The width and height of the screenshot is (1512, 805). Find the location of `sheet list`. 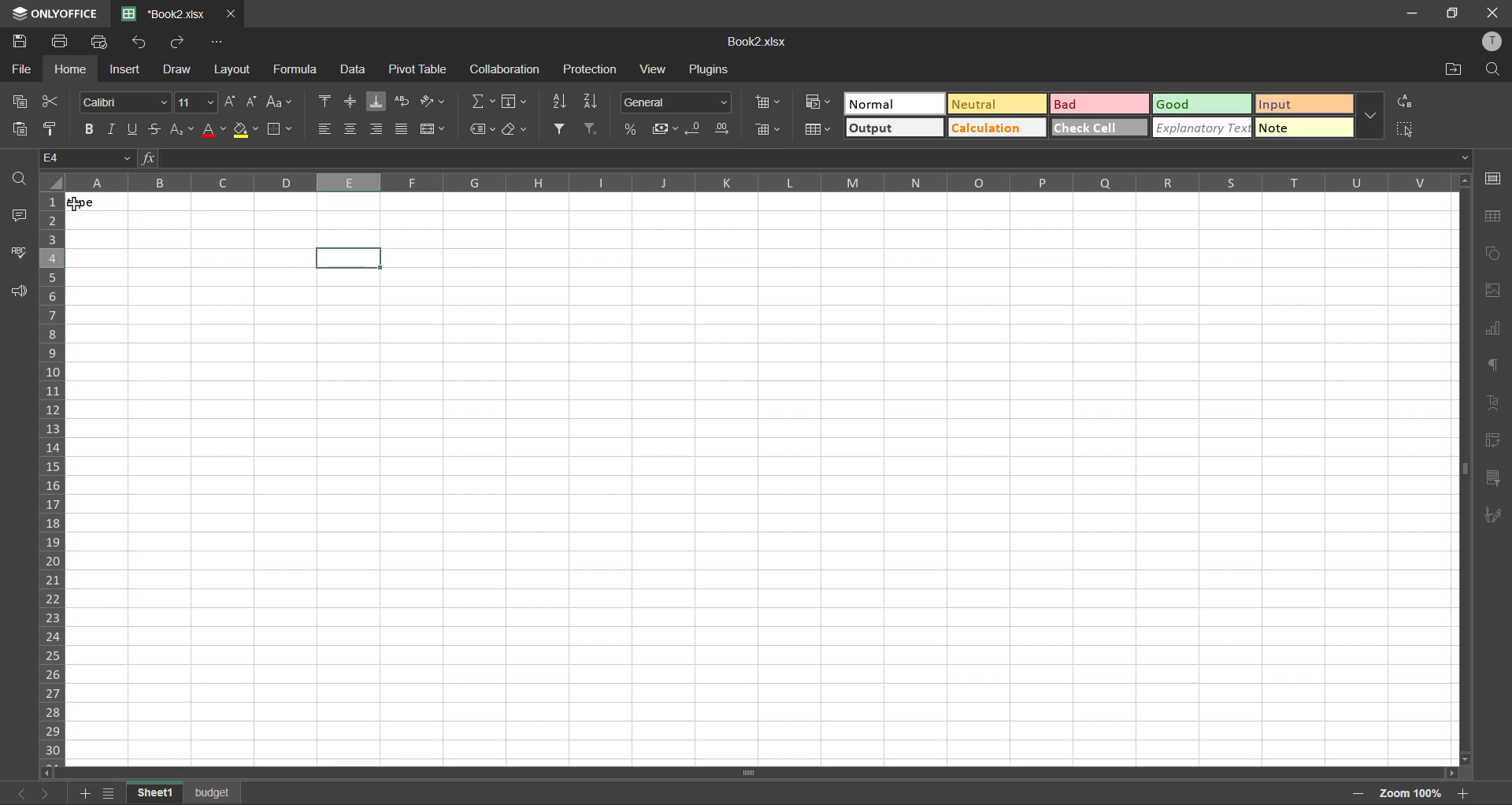

sheet list is located at coordinates (109, 792).